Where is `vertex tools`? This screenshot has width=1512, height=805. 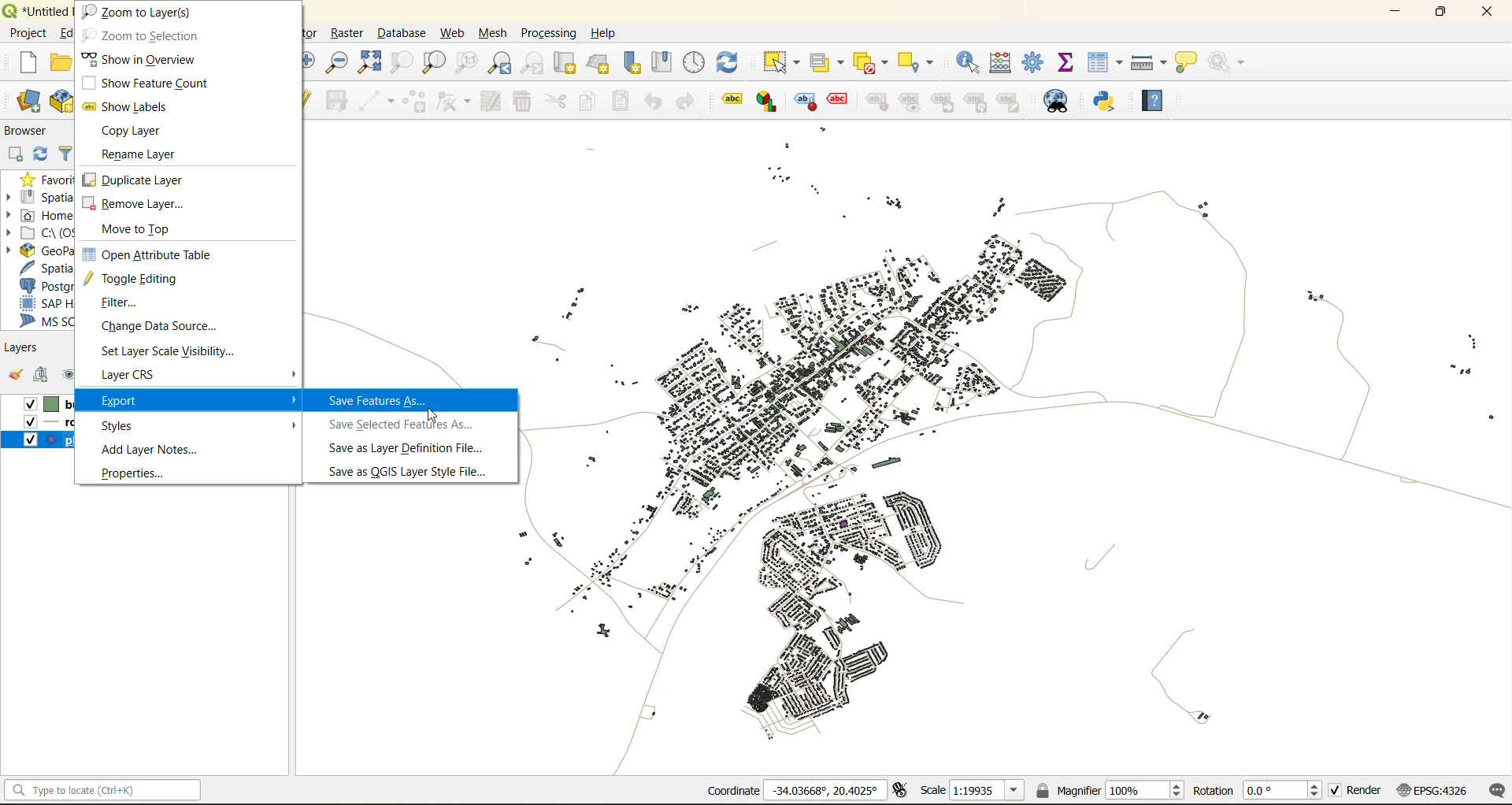
vertex tools is located at coordinates (454, 101).